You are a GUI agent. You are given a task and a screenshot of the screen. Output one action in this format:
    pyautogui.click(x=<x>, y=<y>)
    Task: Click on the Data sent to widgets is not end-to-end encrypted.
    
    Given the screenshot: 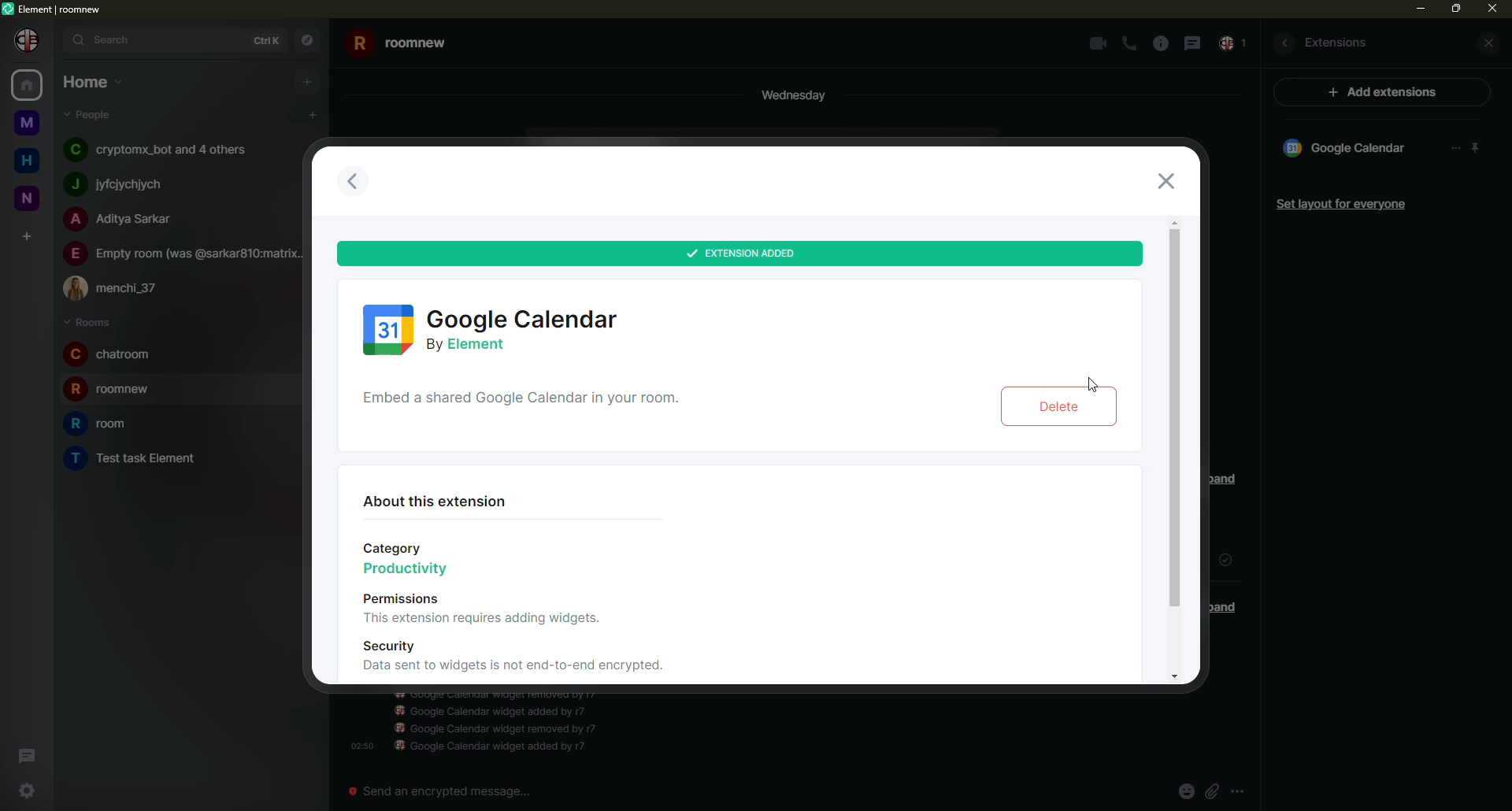 What is the action you would take?
    pyautogui.click(x=513, y=668)
    